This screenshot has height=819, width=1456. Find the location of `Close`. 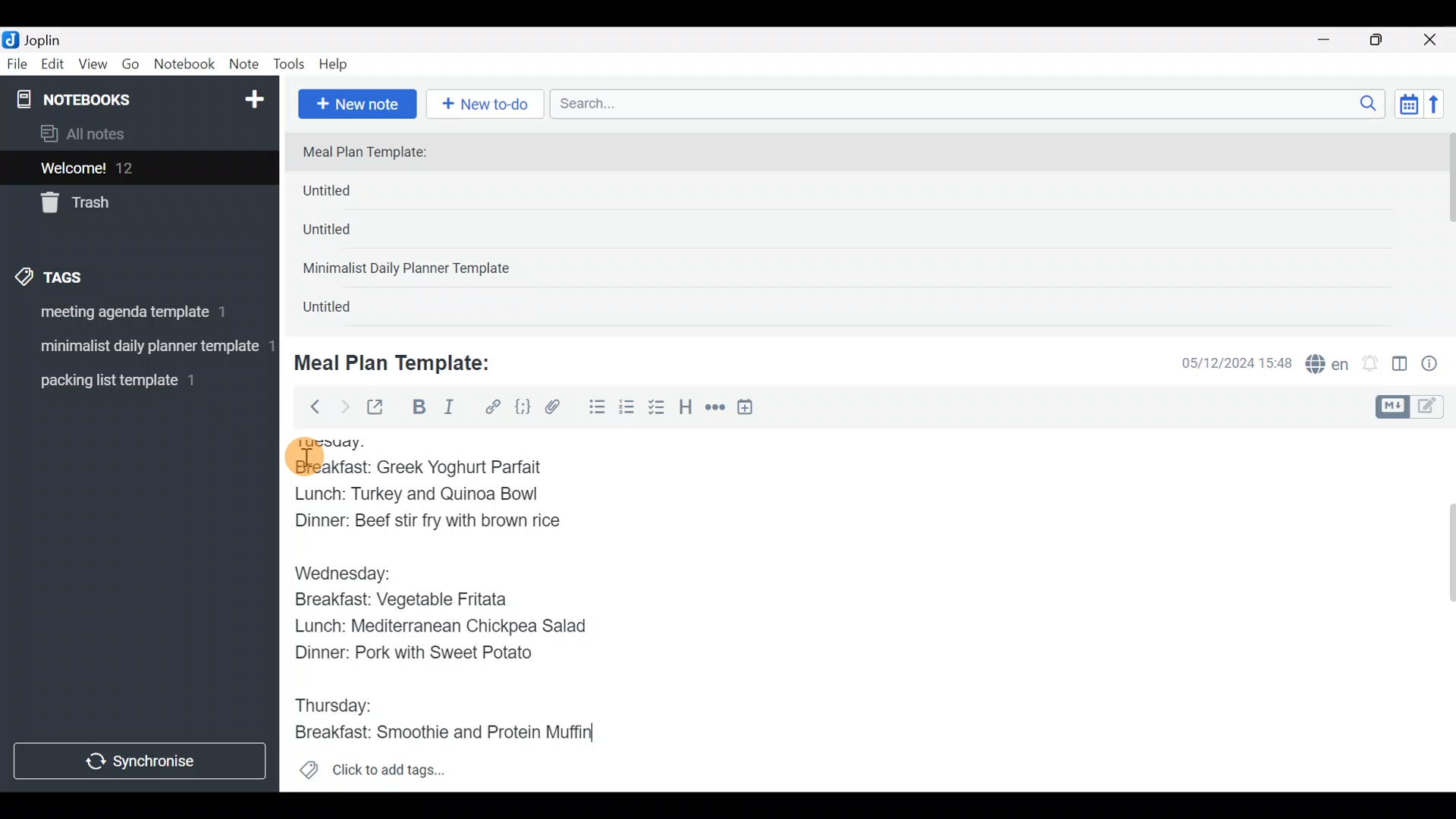

Close is located at coordinates (1432, 41).